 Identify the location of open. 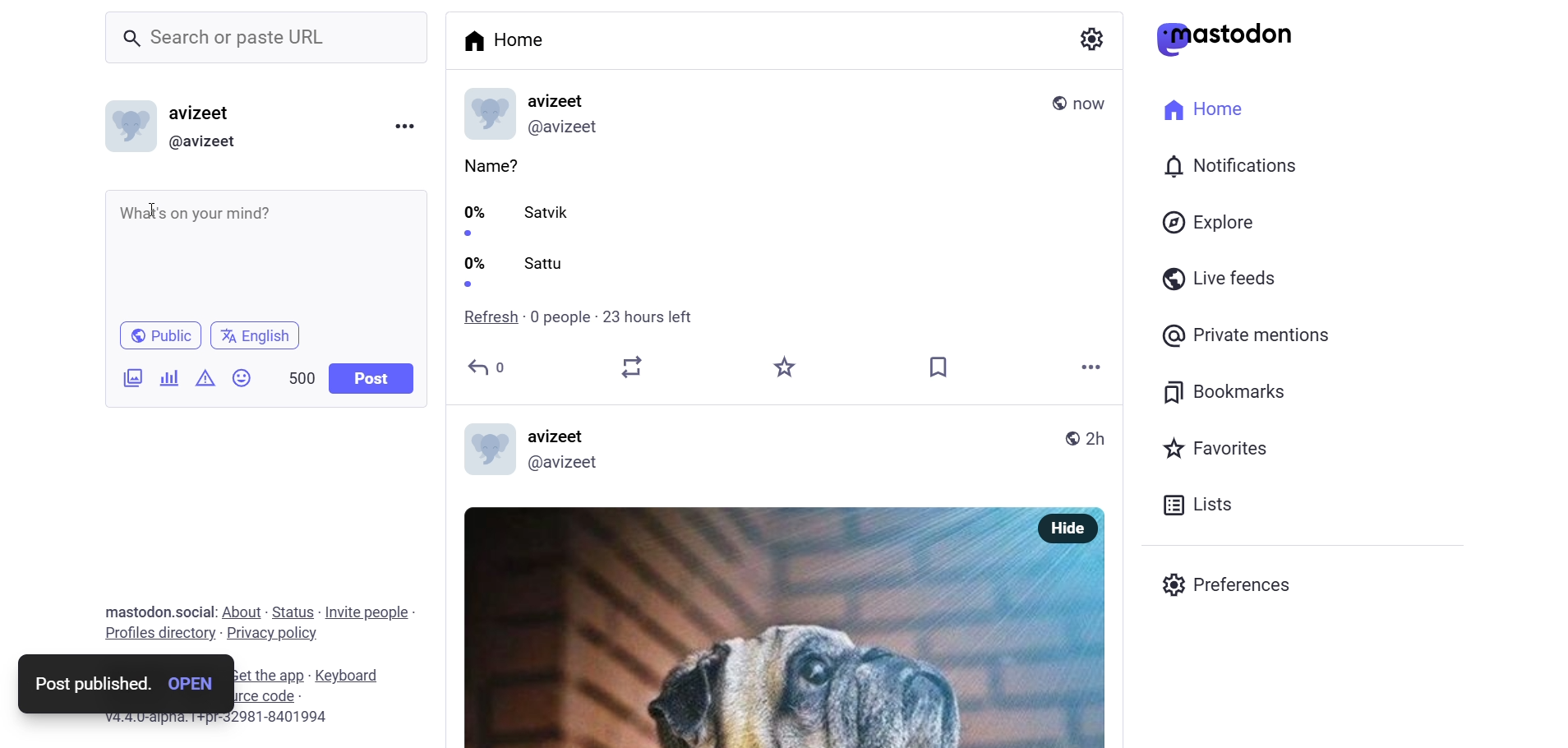
(189, 681).